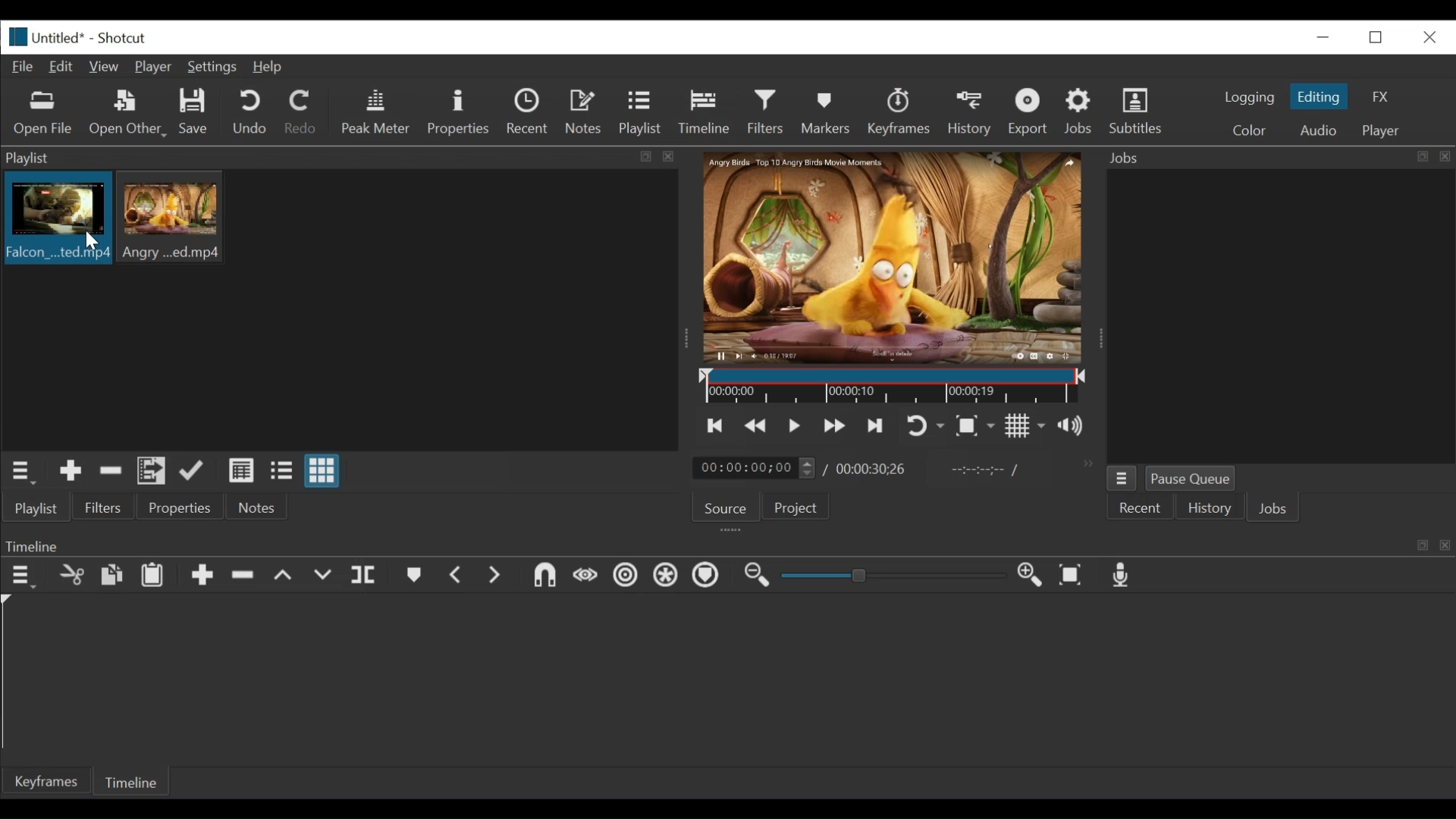 The width and height of the screenshot is (1456, 819). I want to click on split at playhead, so click(366, 576).